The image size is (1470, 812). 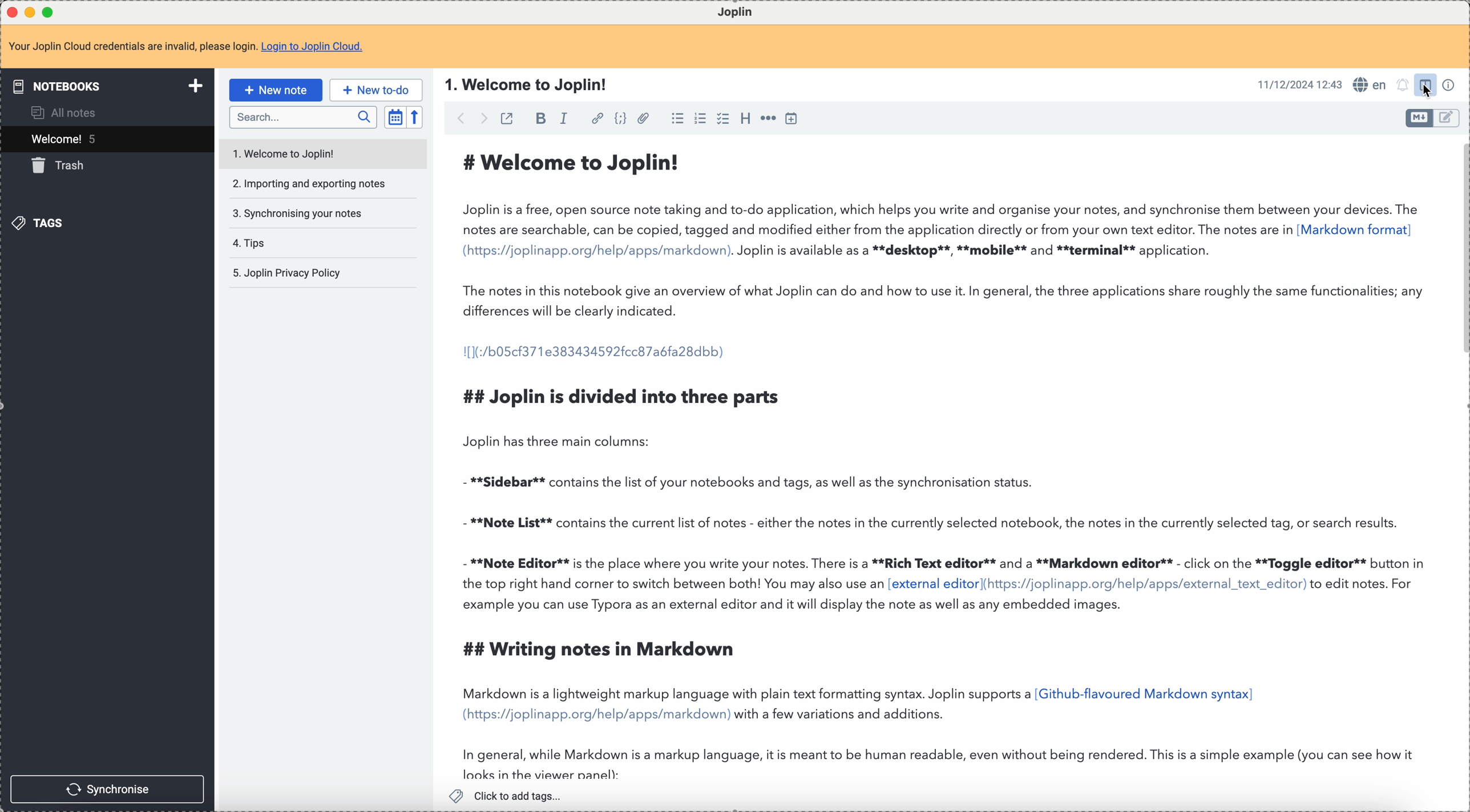 What do you see at coordinates (486, 119) in the screenshot?
I see `foward` at bounding box center [486, 119].